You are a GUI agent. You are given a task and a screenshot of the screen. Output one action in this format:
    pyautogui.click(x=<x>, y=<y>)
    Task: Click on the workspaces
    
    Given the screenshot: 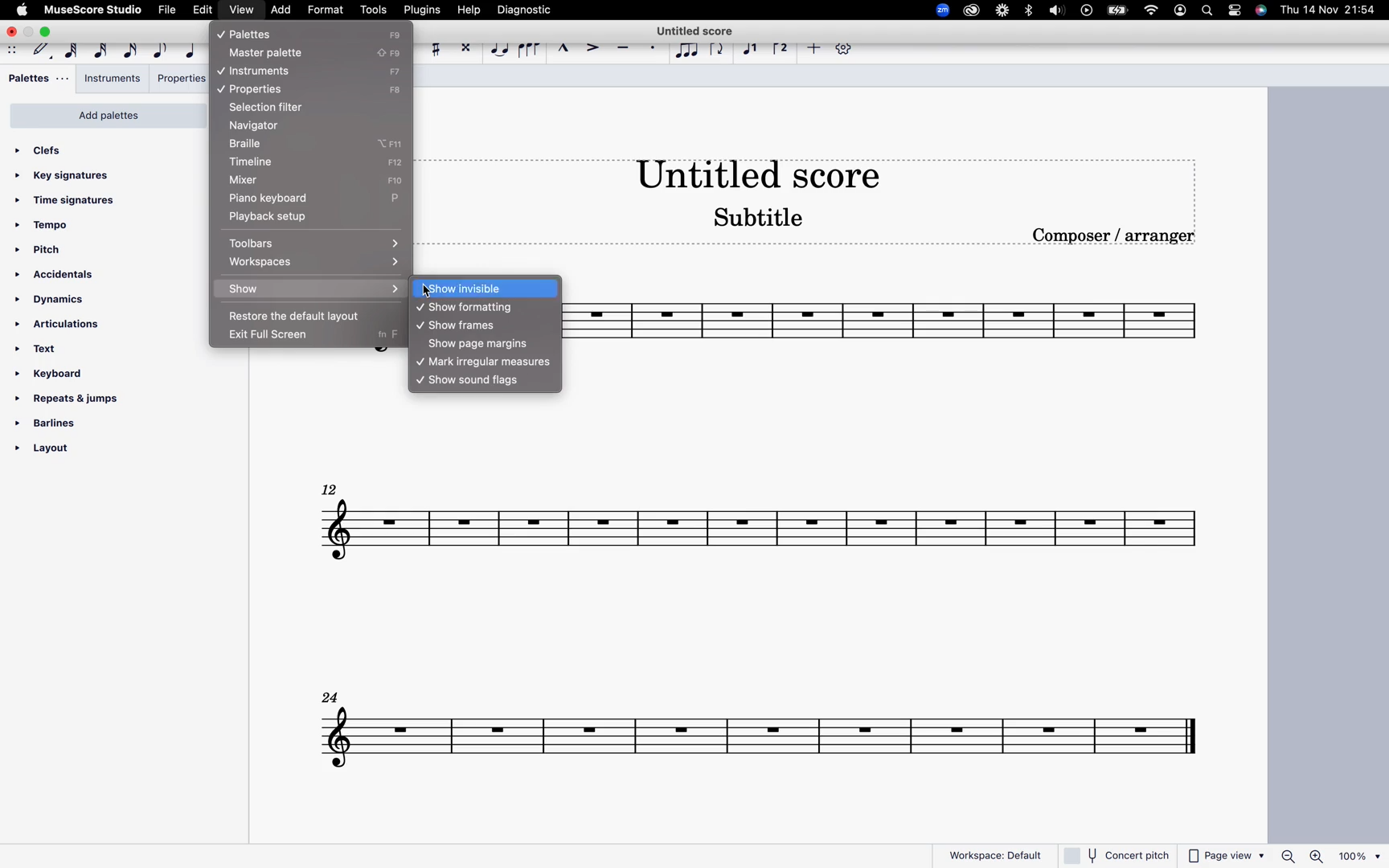 What is the action you would take?
    pyautogui.click(x=315, y=262)
    